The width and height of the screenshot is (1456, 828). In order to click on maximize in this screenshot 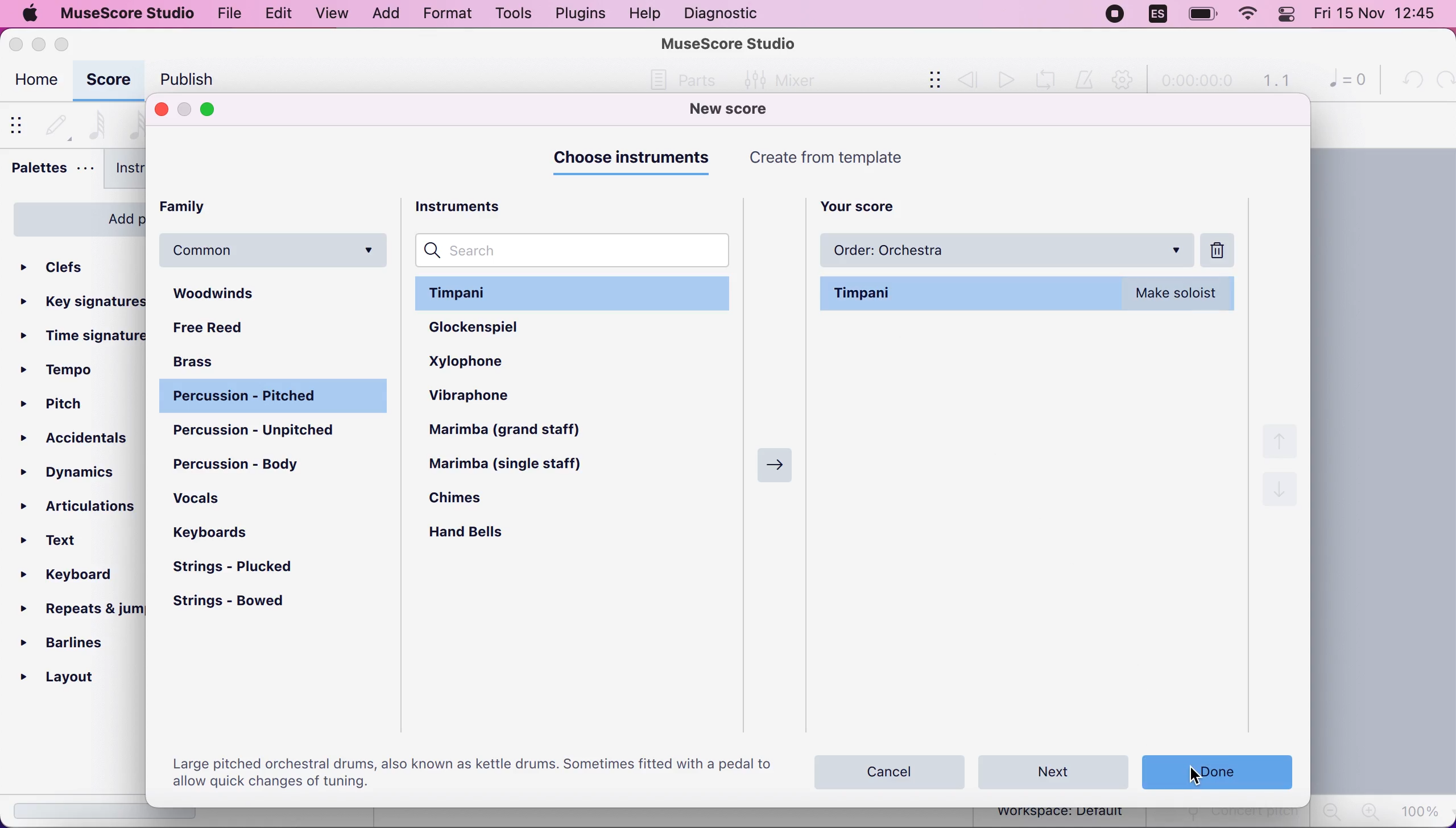, I will do `click(216, 110)`.